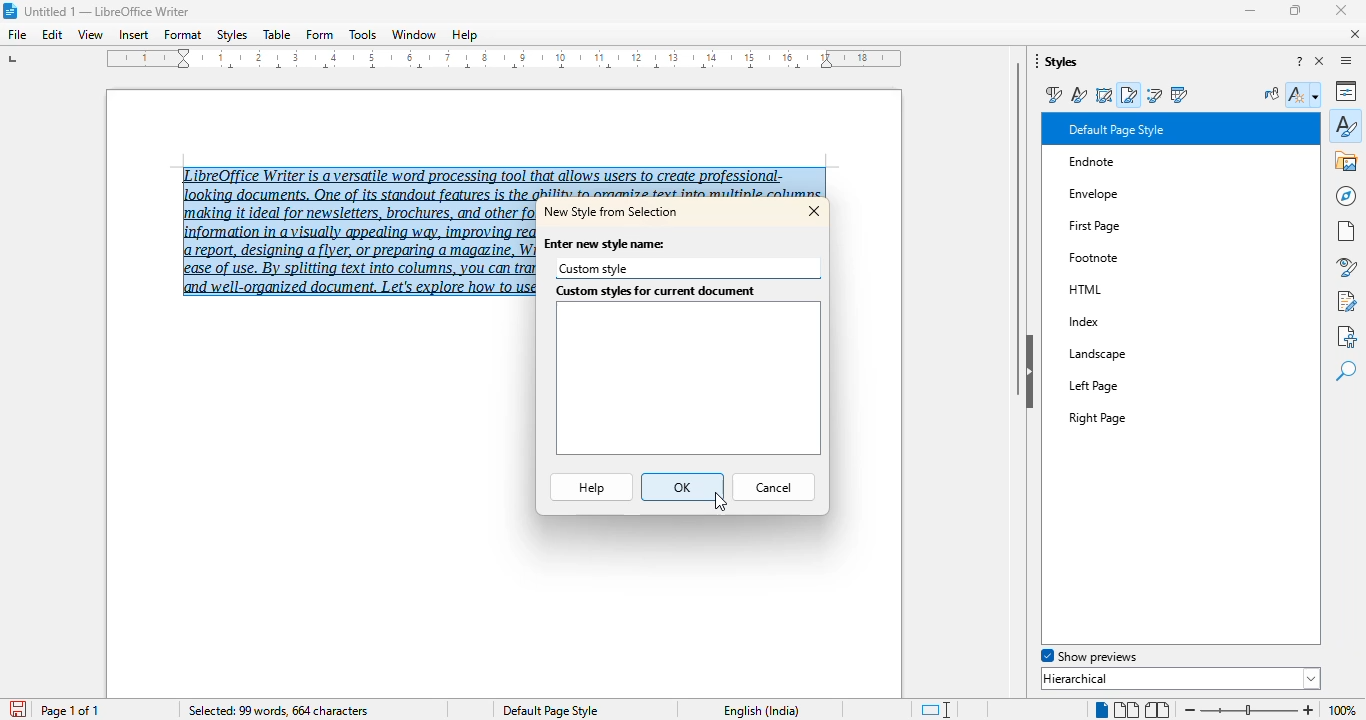 The height and width of the screenshot is (720, 1366). Describe the element at coordinates (53, 35) in the screenshot. I see `edit` at that location.